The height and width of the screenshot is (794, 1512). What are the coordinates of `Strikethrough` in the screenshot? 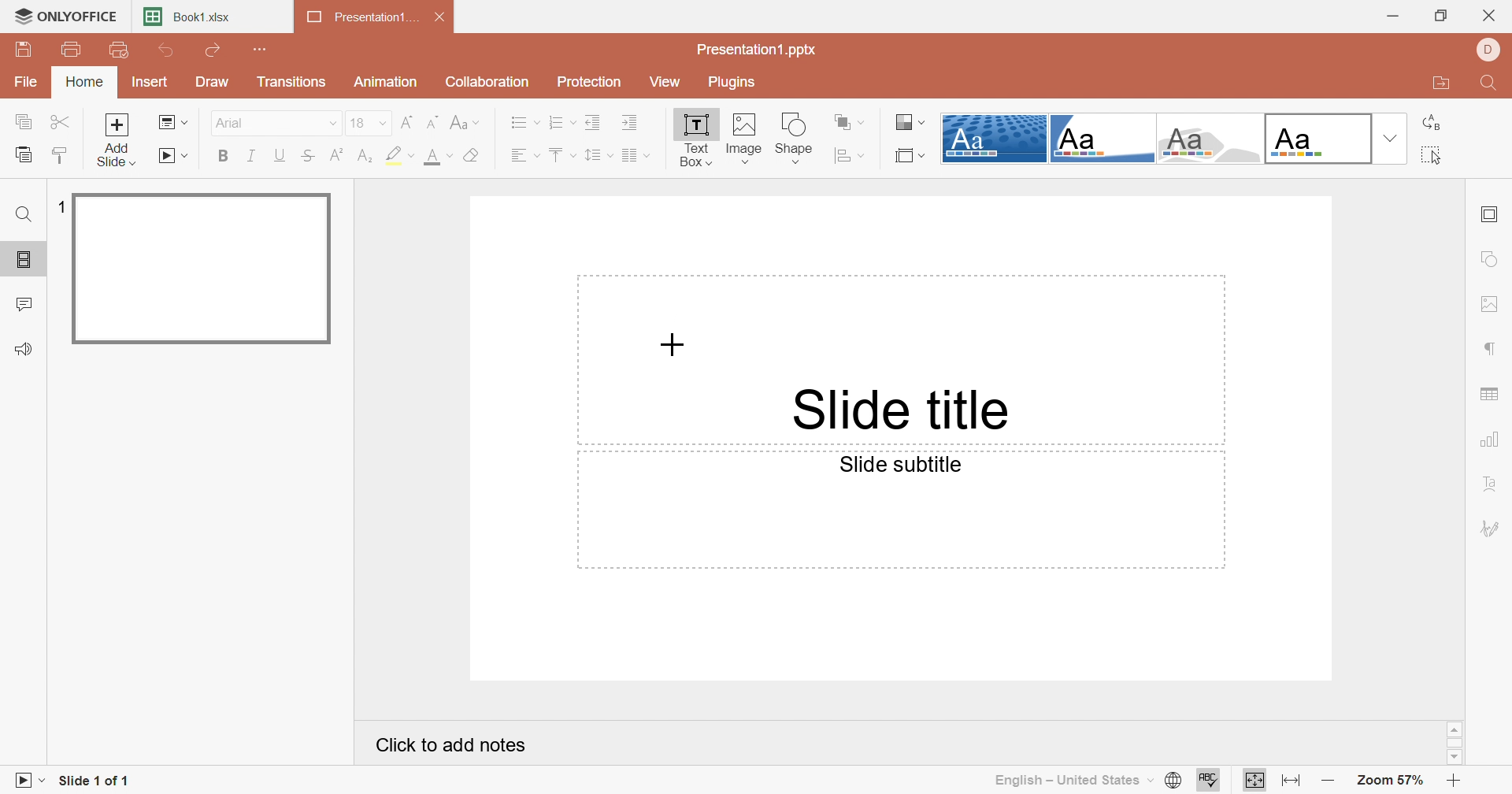 It's located at (309, 155).